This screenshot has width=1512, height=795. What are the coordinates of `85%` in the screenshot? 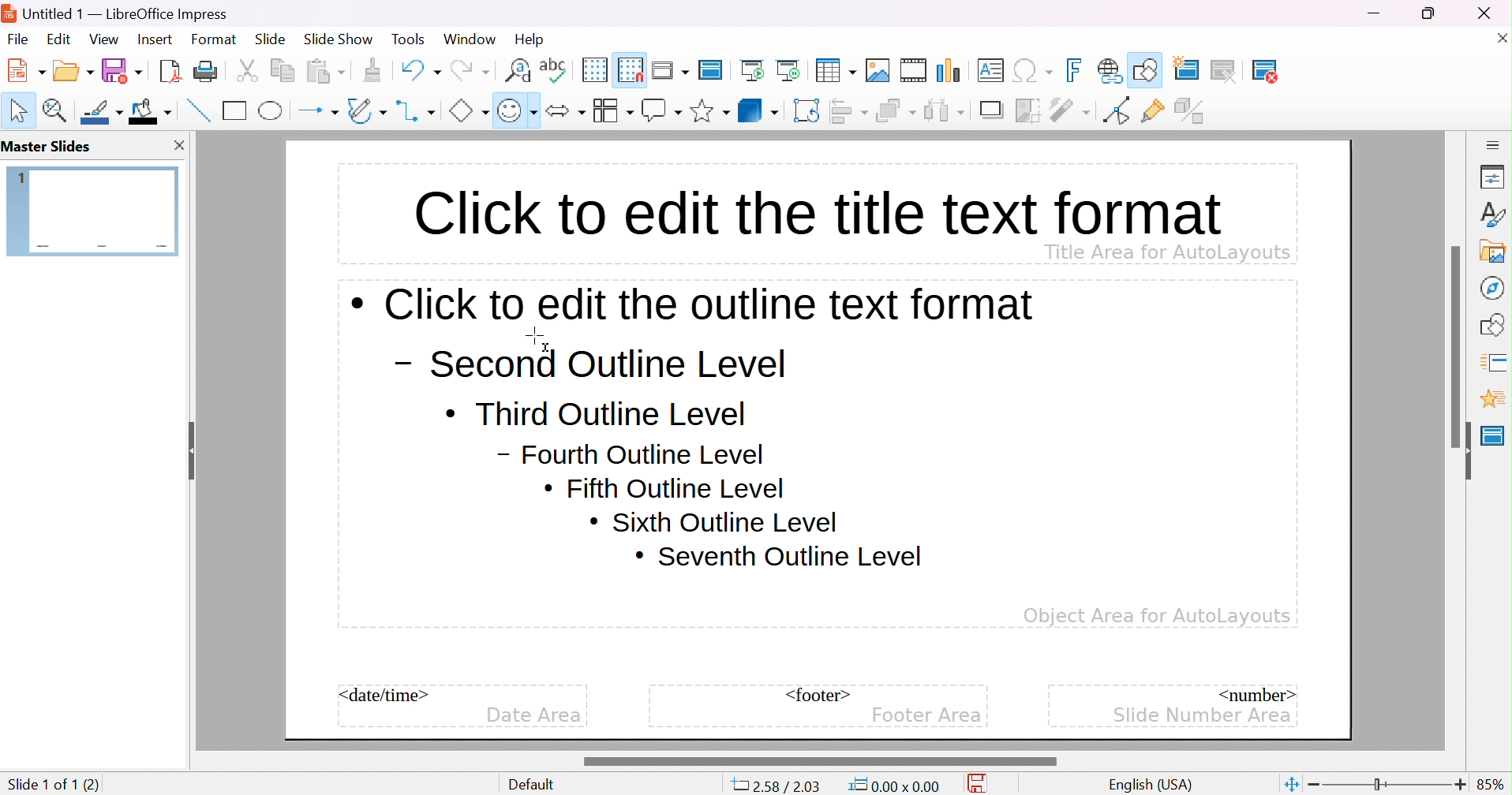 It's located at (1491, 784).